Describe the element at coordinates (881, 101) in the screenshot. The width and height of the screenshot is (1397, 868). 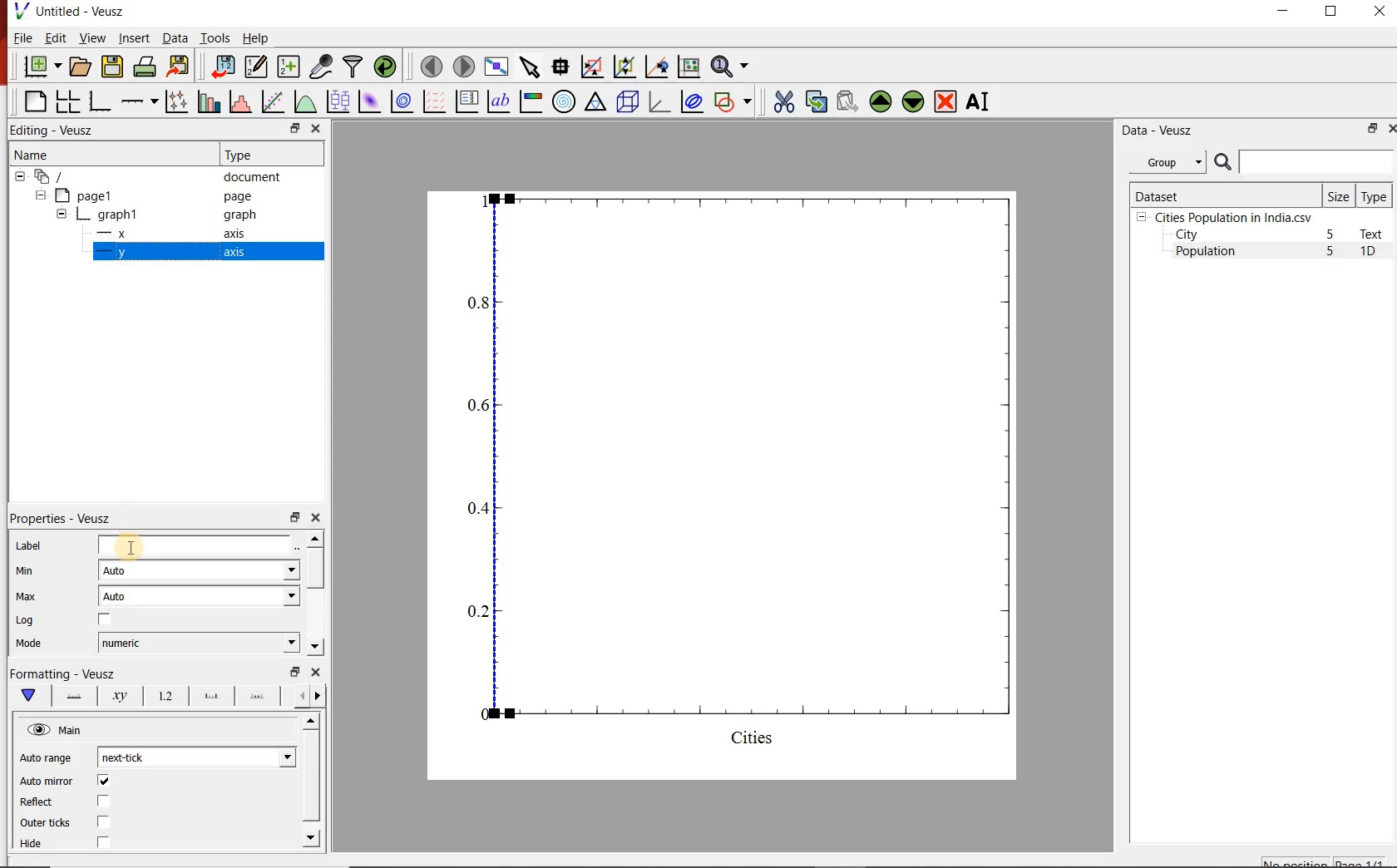
I see `move the selected widget up` at that location.